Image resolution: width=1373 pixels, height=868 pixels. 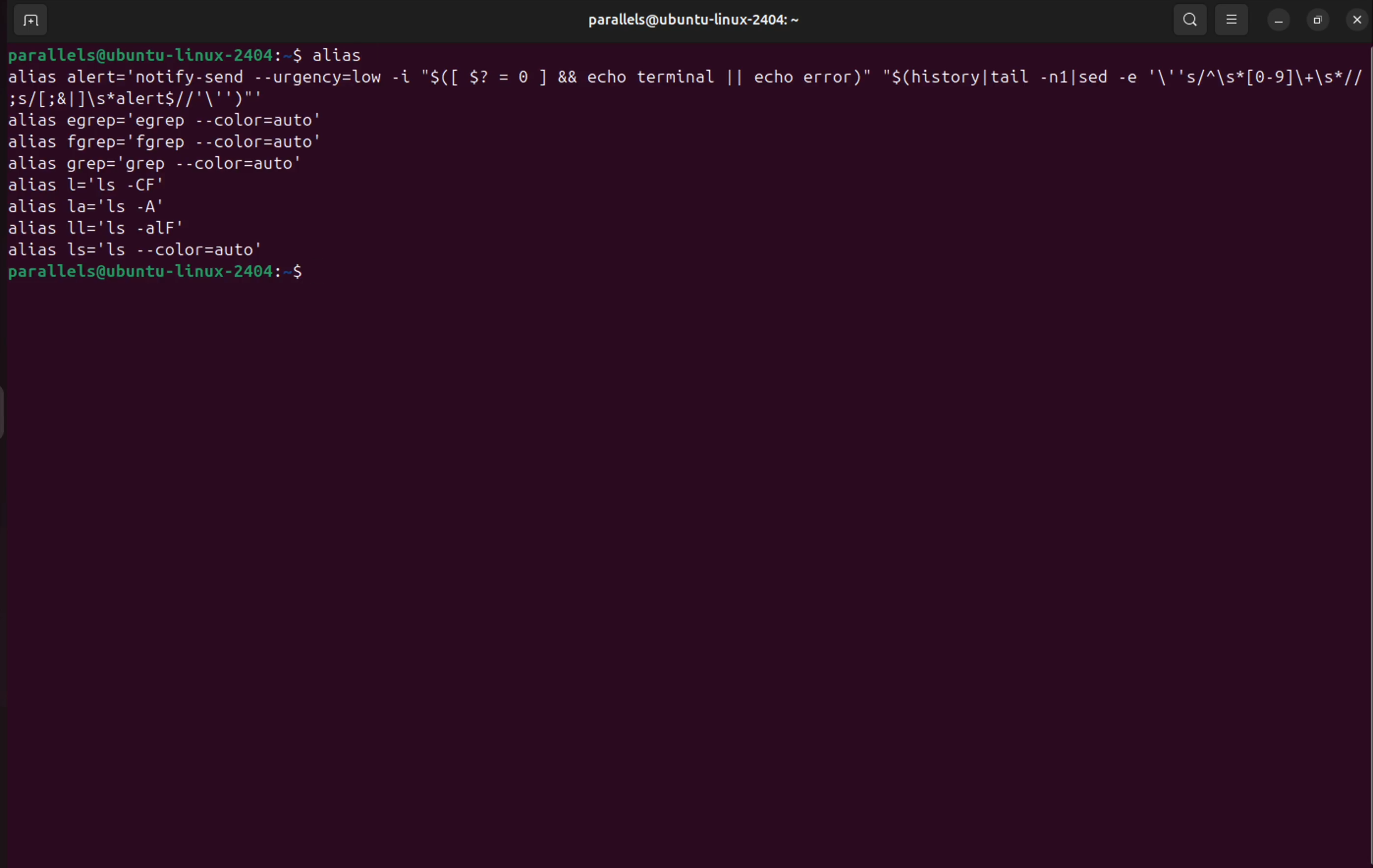 I want to click on alias ll=ls-af, so click(x=103, y=229).